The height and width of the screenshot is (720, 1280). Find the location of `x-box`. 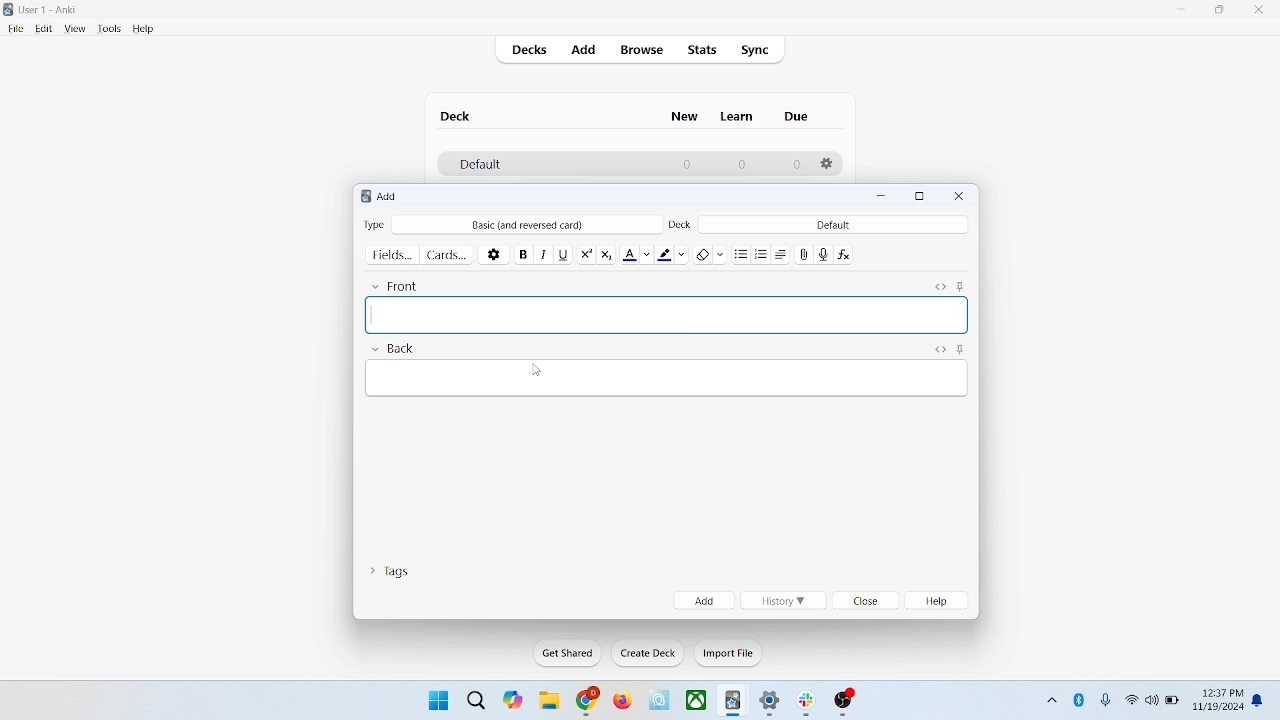

x-box is located at coordinates (697, 700).